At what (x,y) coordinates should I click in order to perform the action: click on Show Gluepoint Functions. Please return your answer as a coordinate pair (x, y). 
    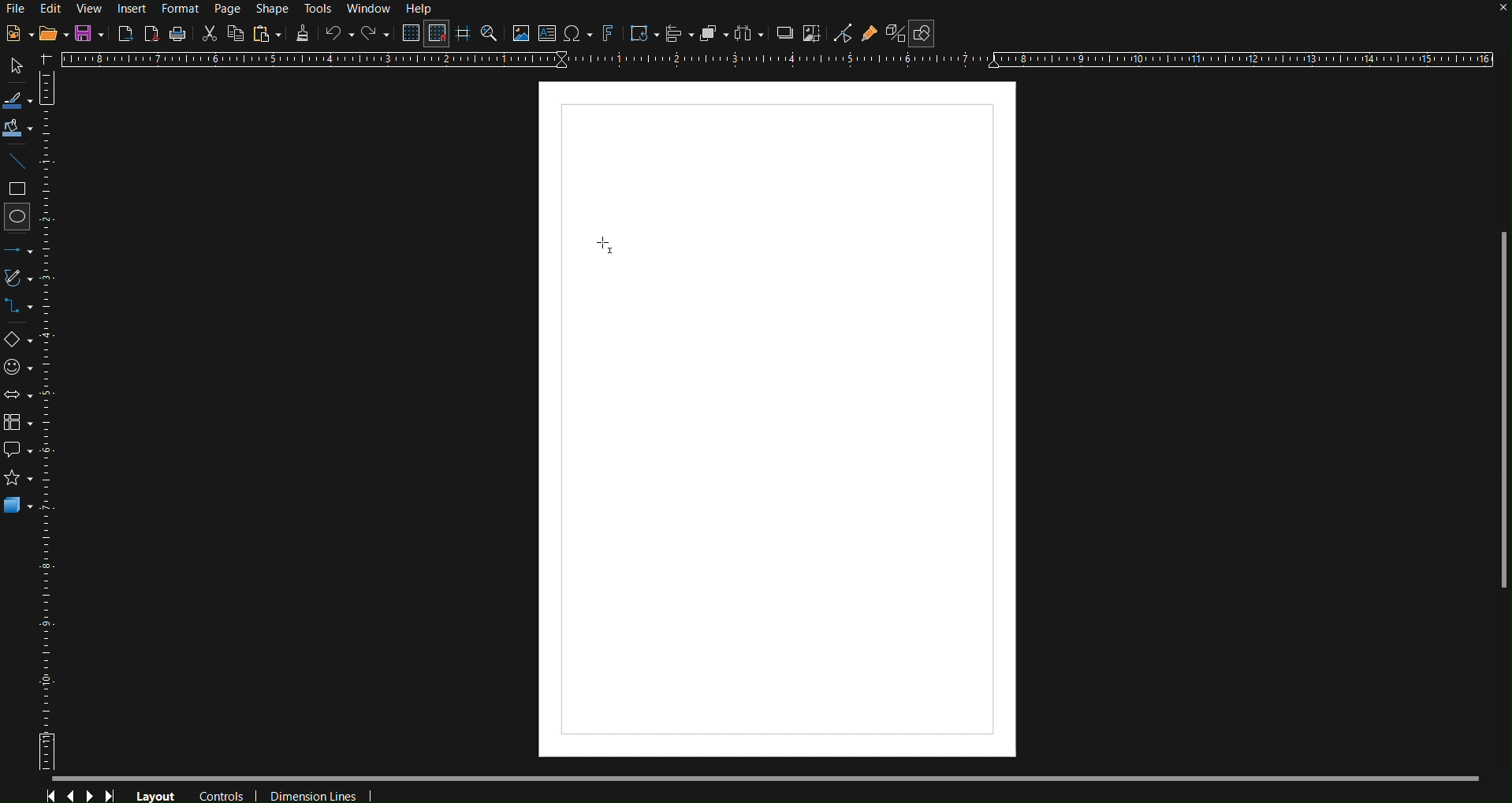
    Looking at the image, I should click on (870, 35).